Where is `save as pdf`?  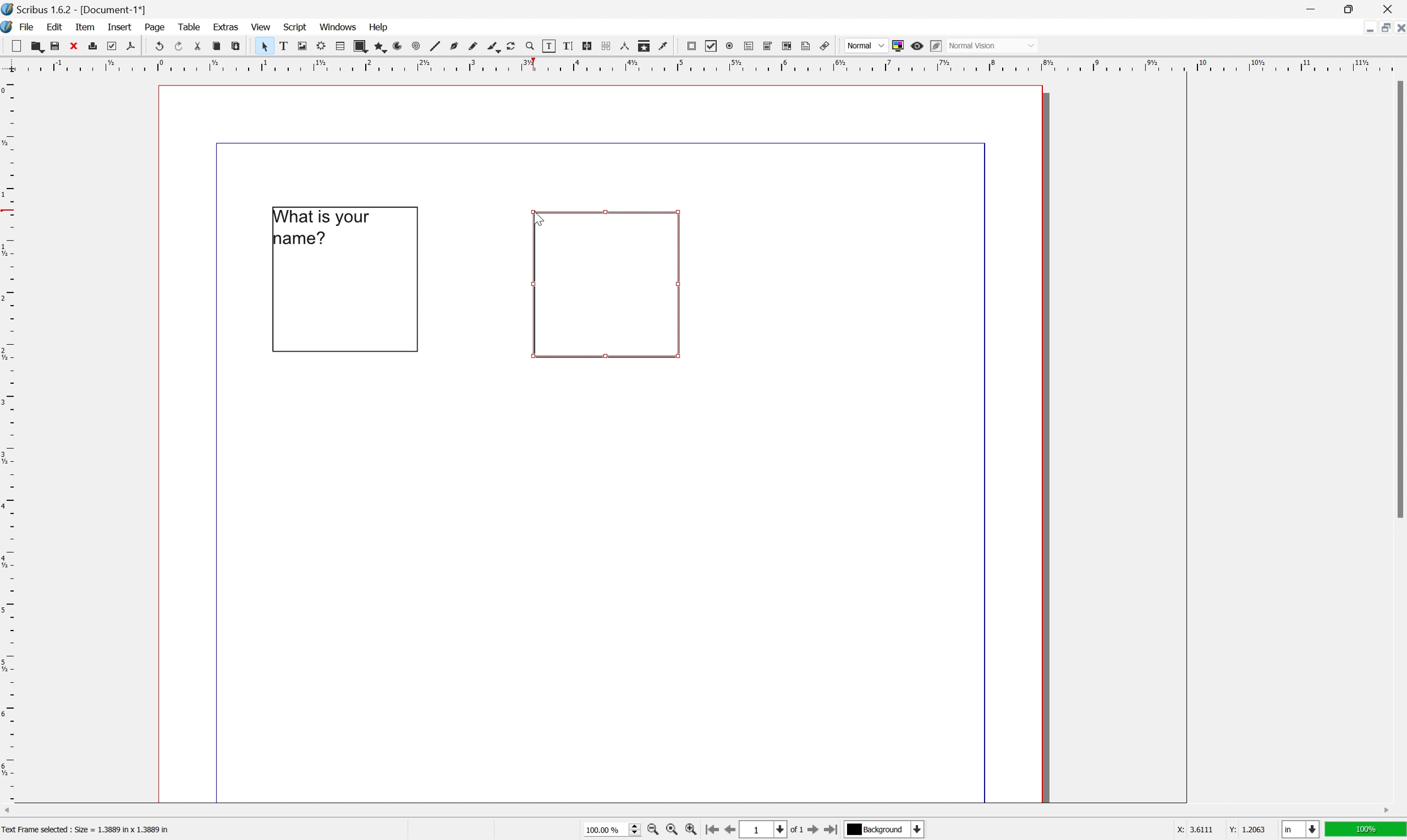 save as pdf is located at coordinates (130, 45).